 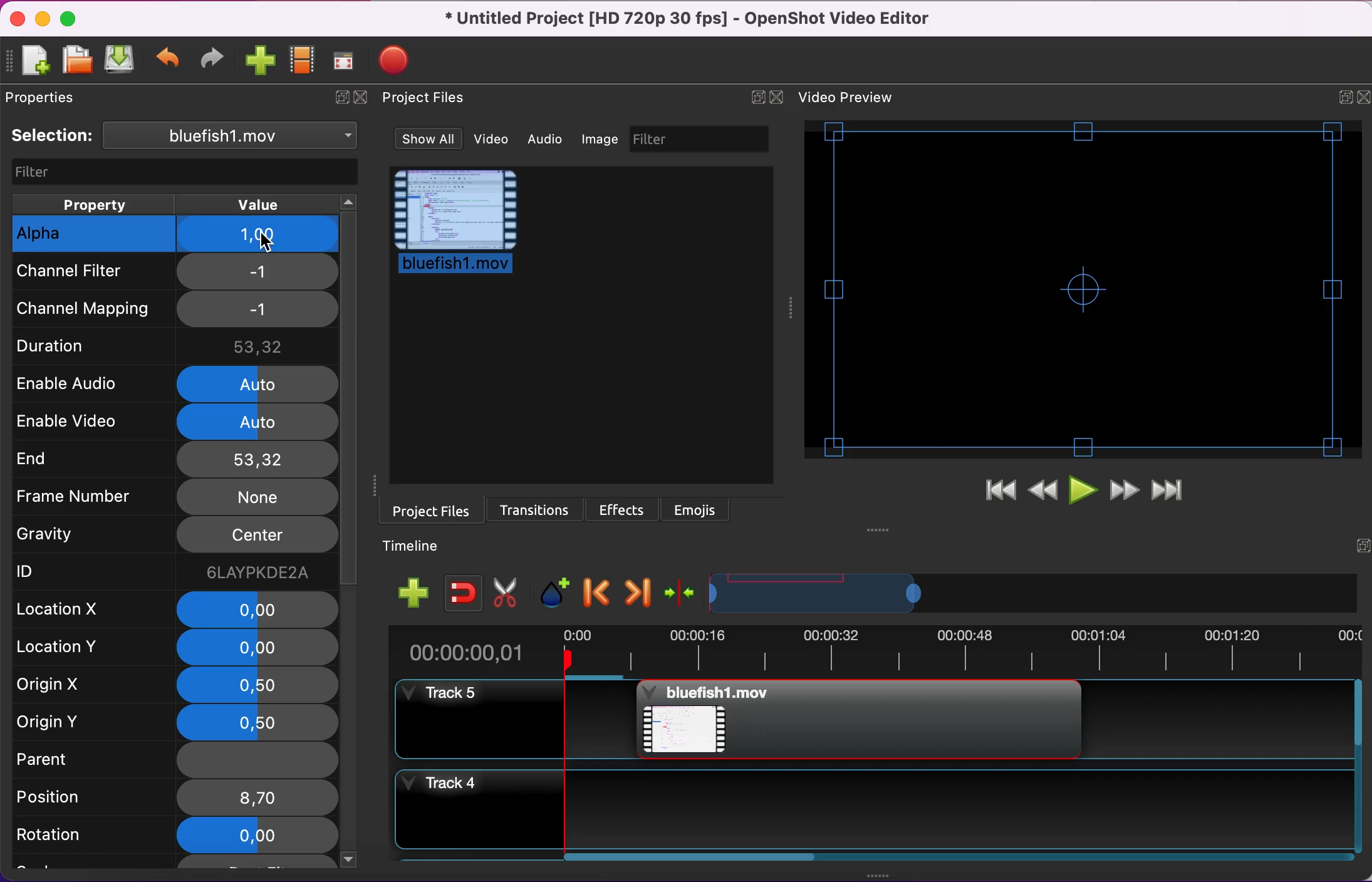 What do you see at coordinates (1215, 720) in the screenshot?
I see `Track 5` at bounding box center [1215, 720].